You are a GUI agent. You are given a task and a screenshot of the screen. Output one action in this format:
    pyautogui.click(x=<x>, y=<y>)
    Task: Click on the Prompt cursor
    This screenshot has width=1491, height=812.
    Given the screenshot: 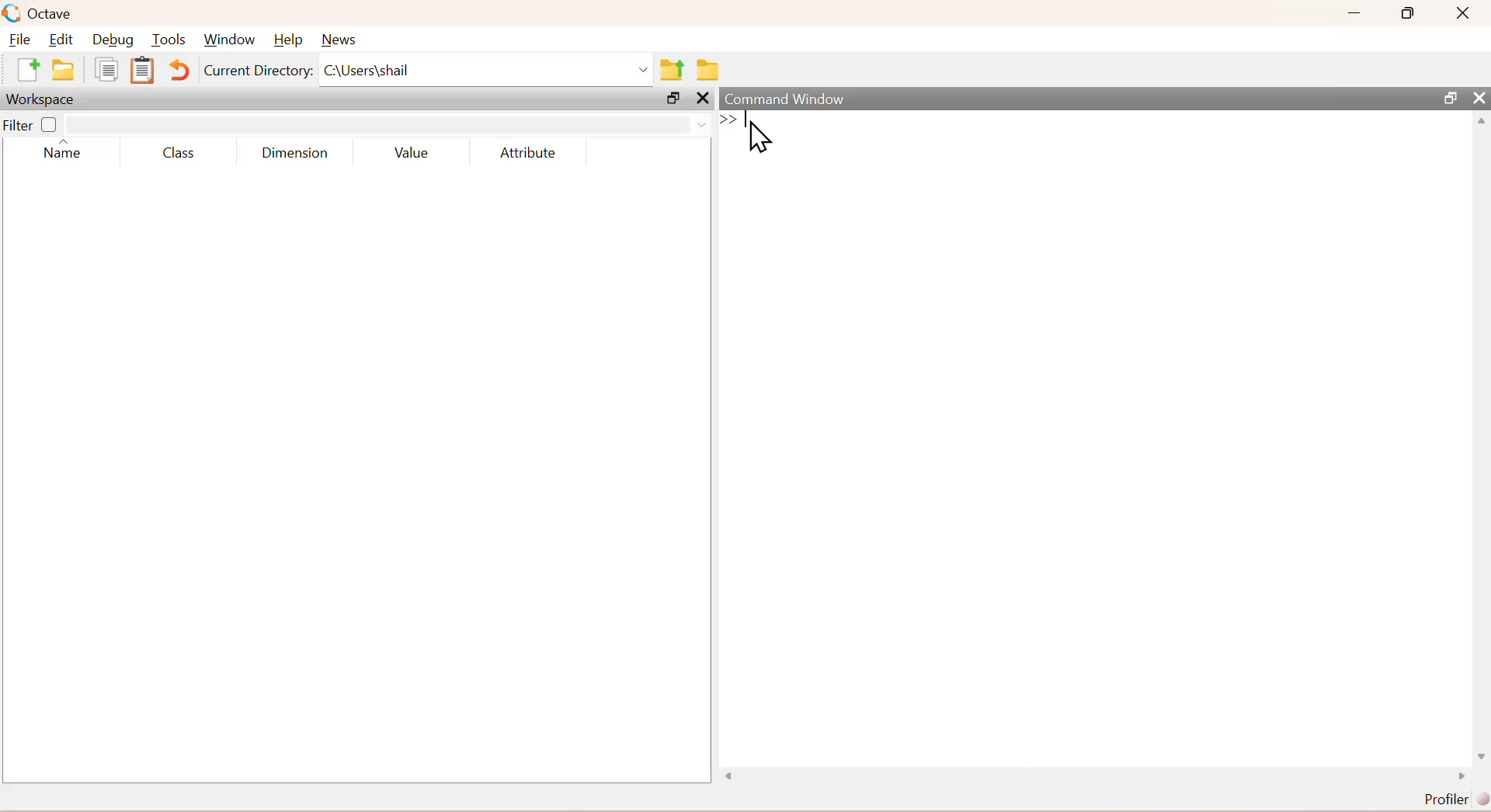 What is the action you would take?
    pyautogui.click(x=731, y=122)
    